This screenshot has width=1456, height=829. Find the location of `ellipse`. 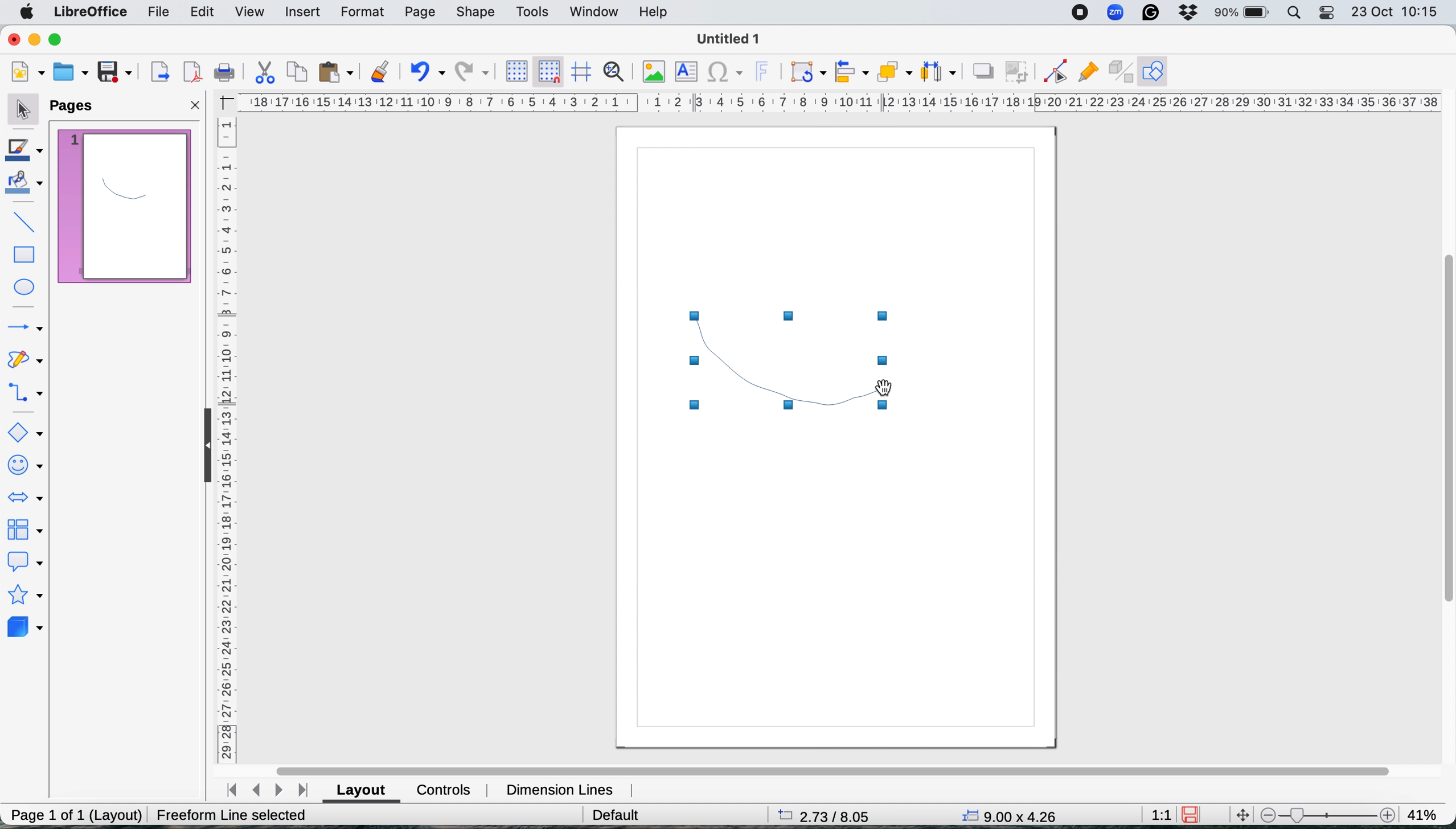

ellipse is located at coordinates (27, 284).